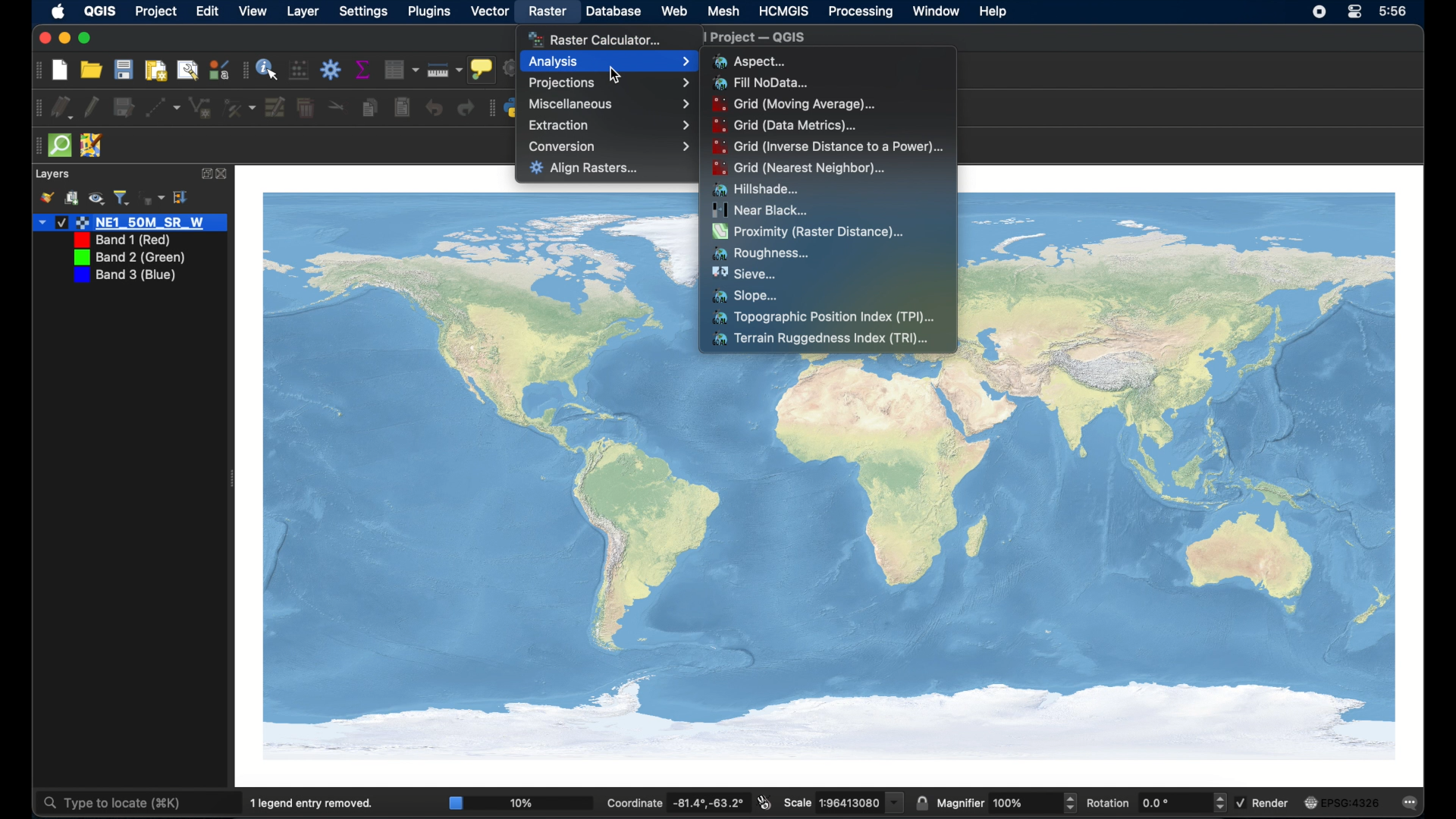  I want to click on drag handle, so click(491, 108).